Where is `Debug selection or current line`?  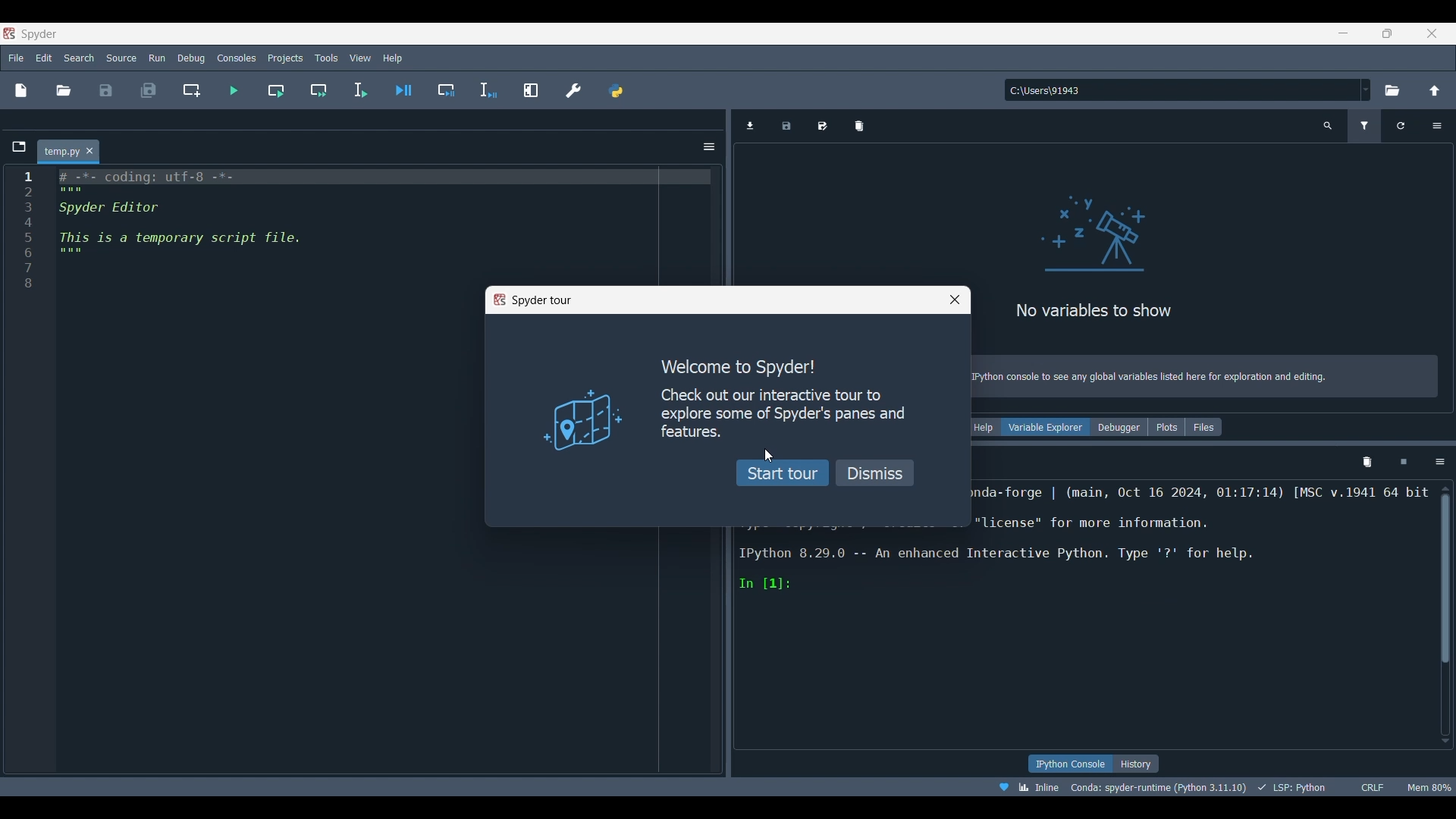
Debug selection or current line is located at coordinates (489, 90).